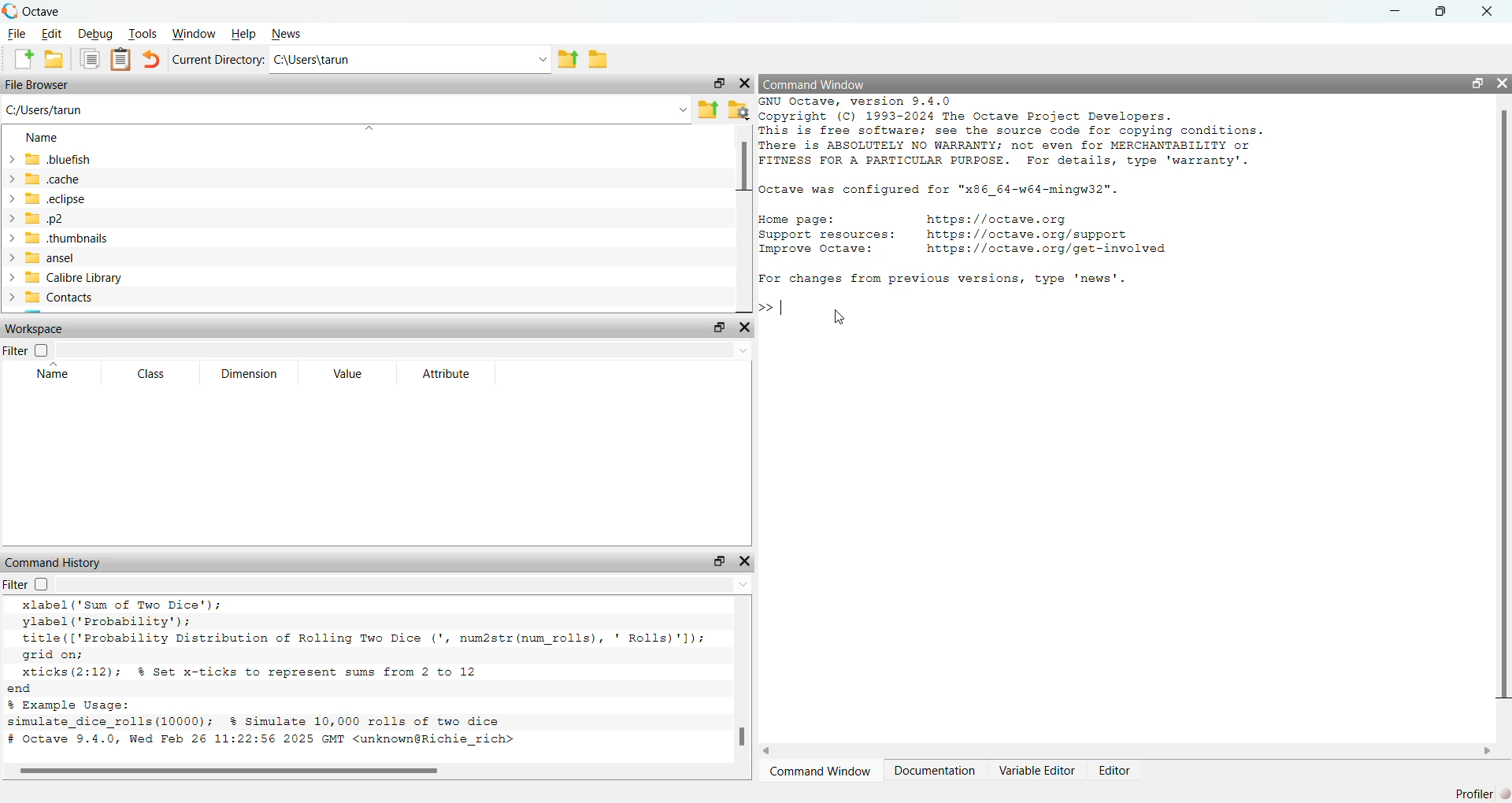 This screenshot has height=803, width=1512. Describe the element at coordinates (48, 200) in the screenshot. I see `.eclipse` at that location.